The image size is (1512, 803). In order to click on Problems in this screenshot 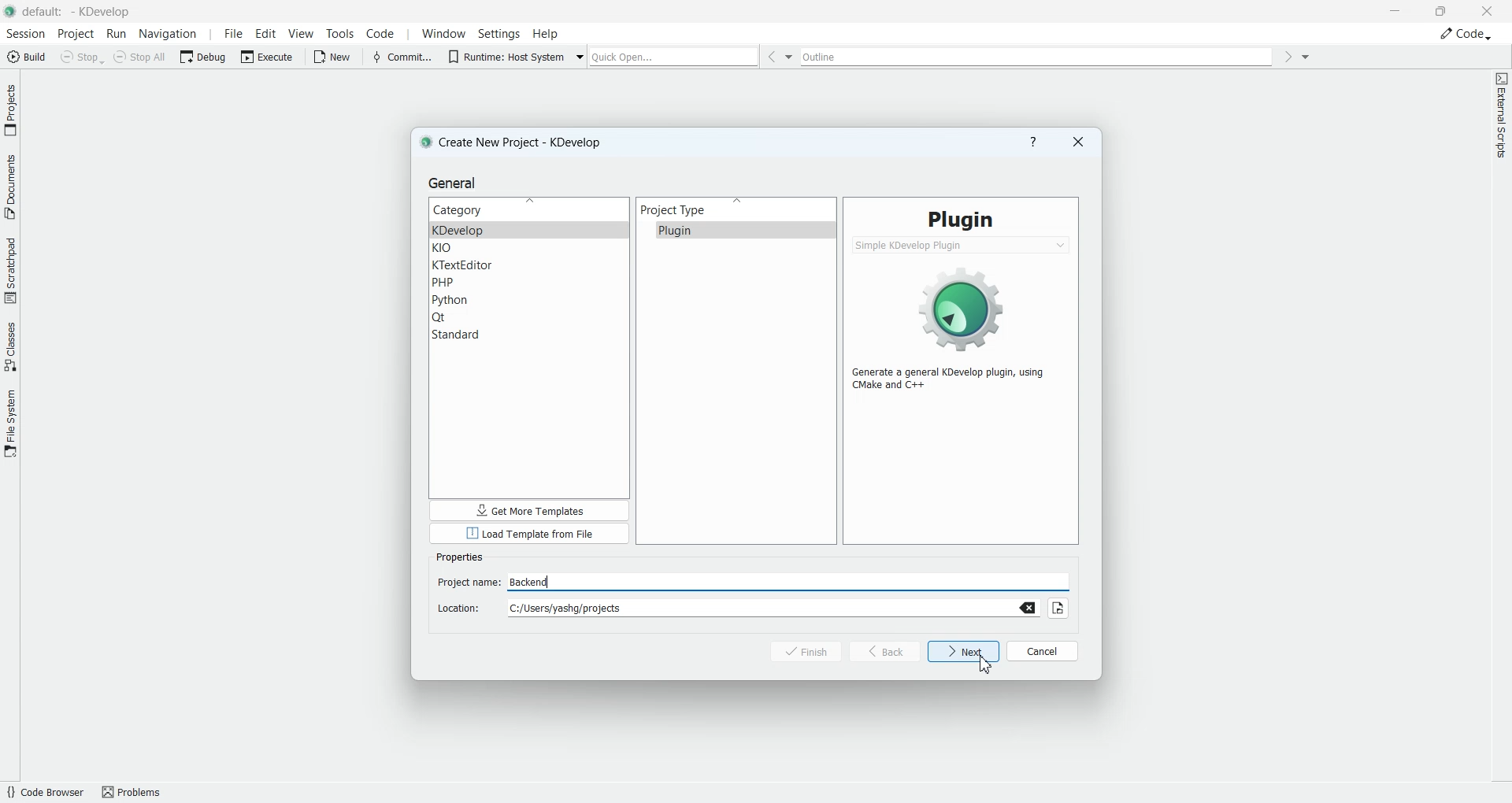, I will do `click(137, 791)`.